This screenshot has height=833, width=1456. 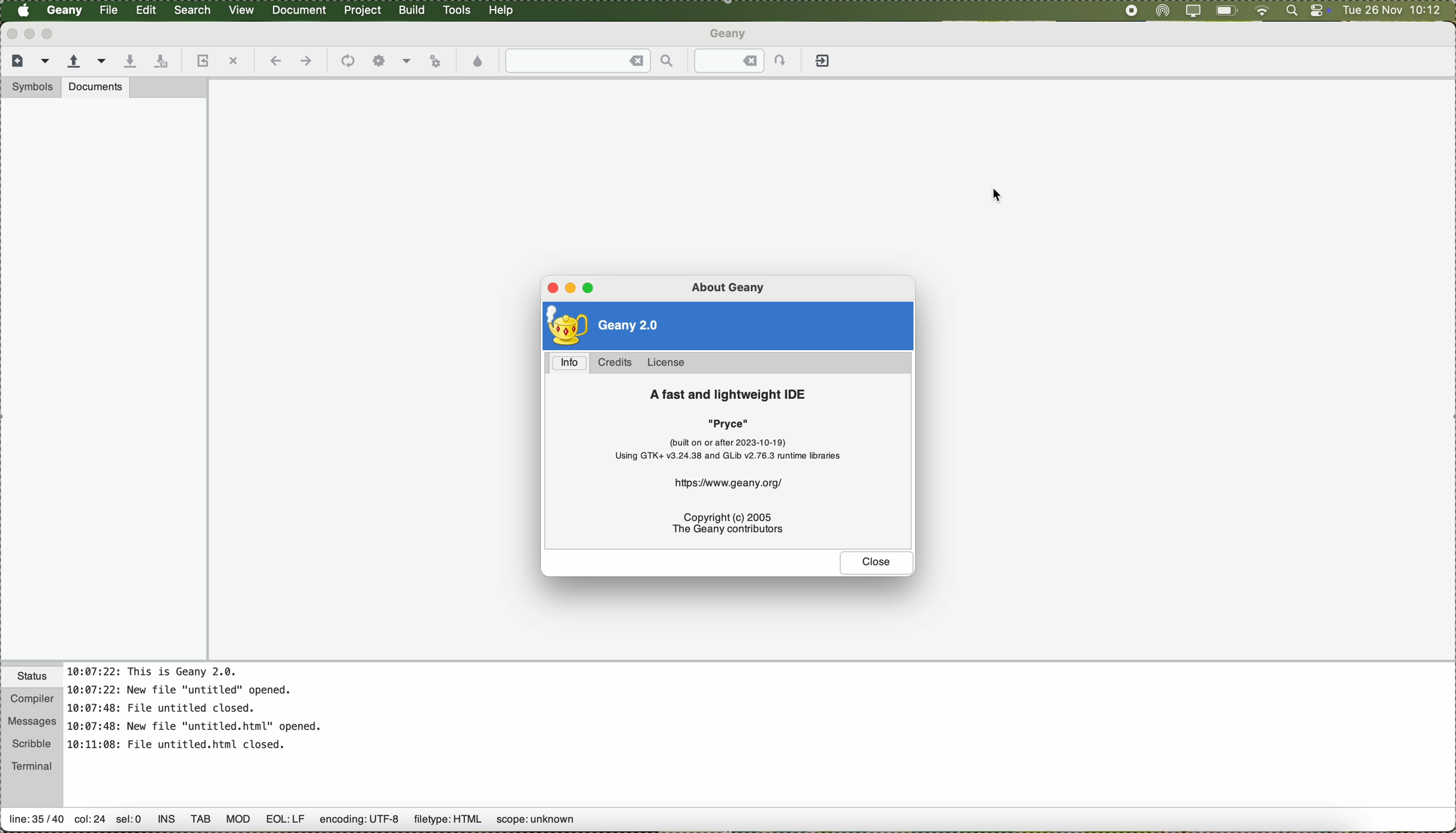 What do you see at coordinates (366, 11) in the screenshot?
I see `project` at bounding box center [366, 11].